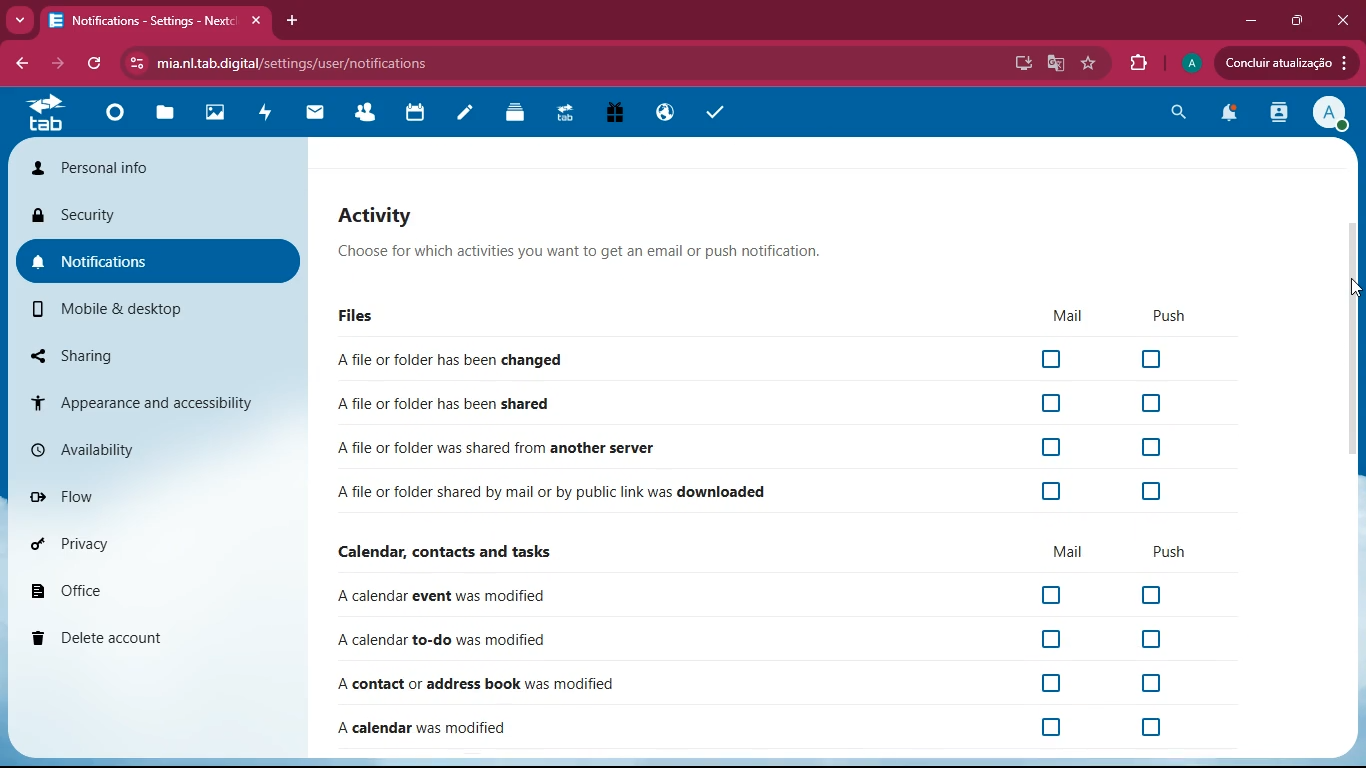 The height and width of the screenshot is (768, 1366). I want to click on checkbox, so click(1151, 449).